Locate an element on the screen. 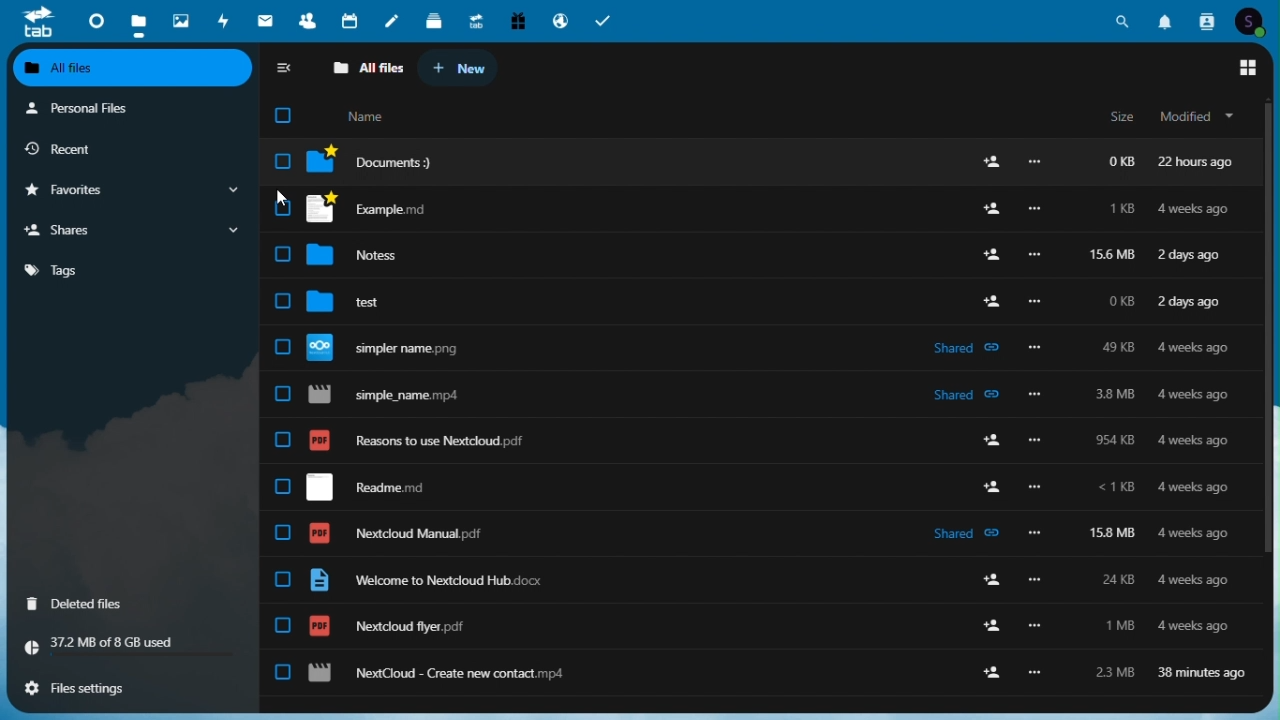 The image size is (1280, 720). more options is located at coordinates (1035, 532).